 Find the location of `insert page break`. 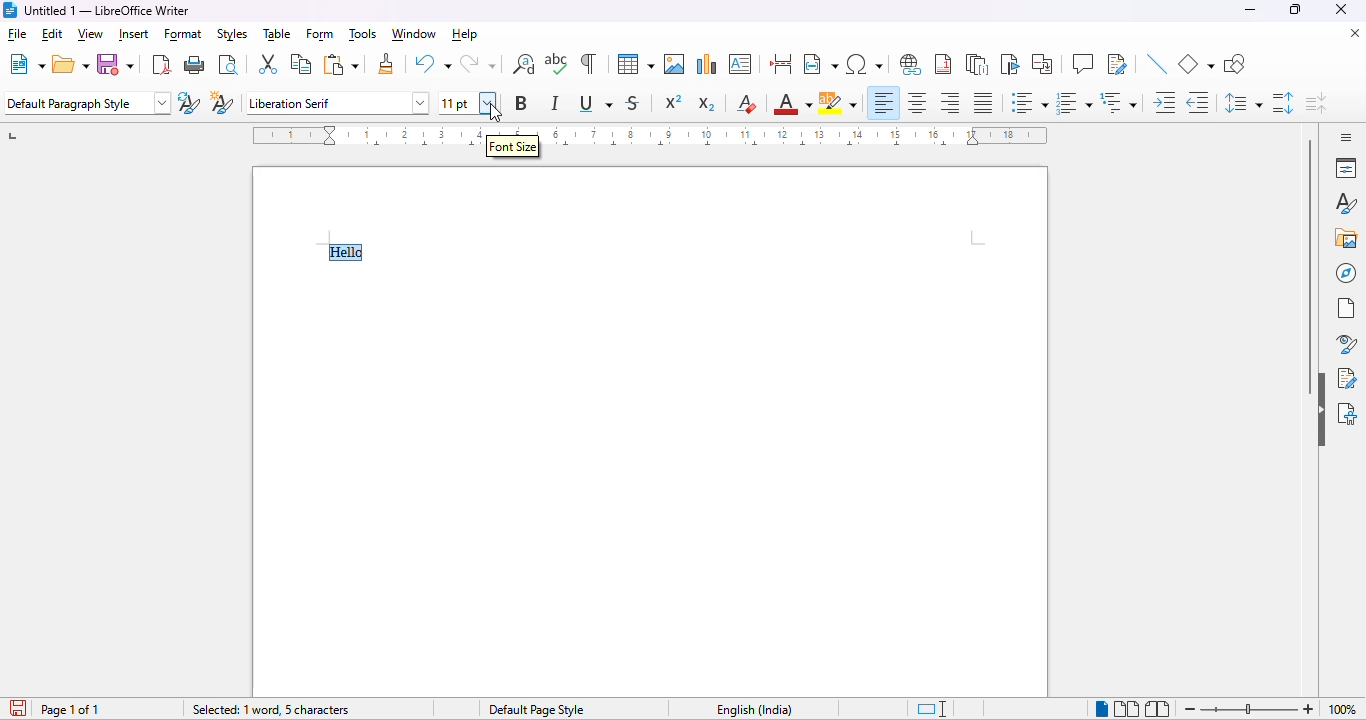

insert page break is located at coordinates (782, 64).